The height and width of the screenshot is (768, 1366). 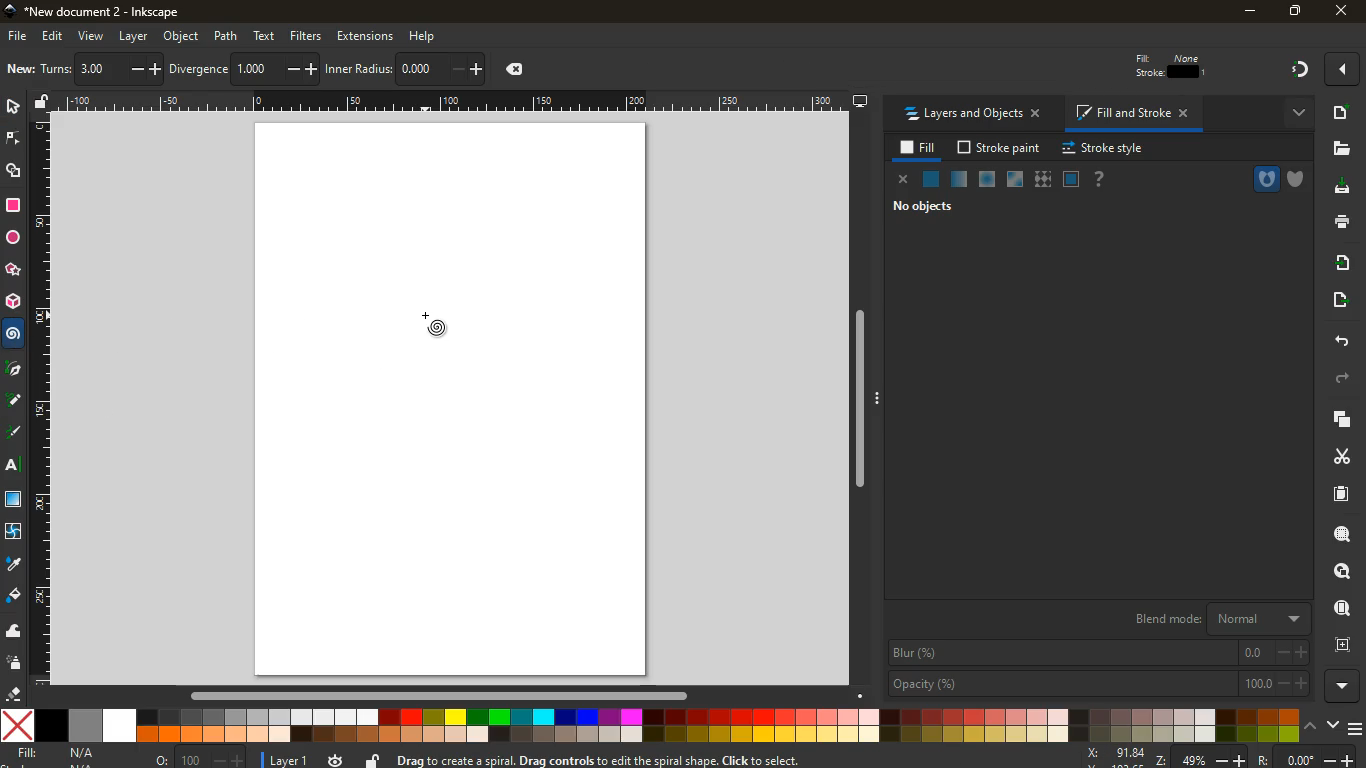 I want to click on more, so click(x=1340, y=71).